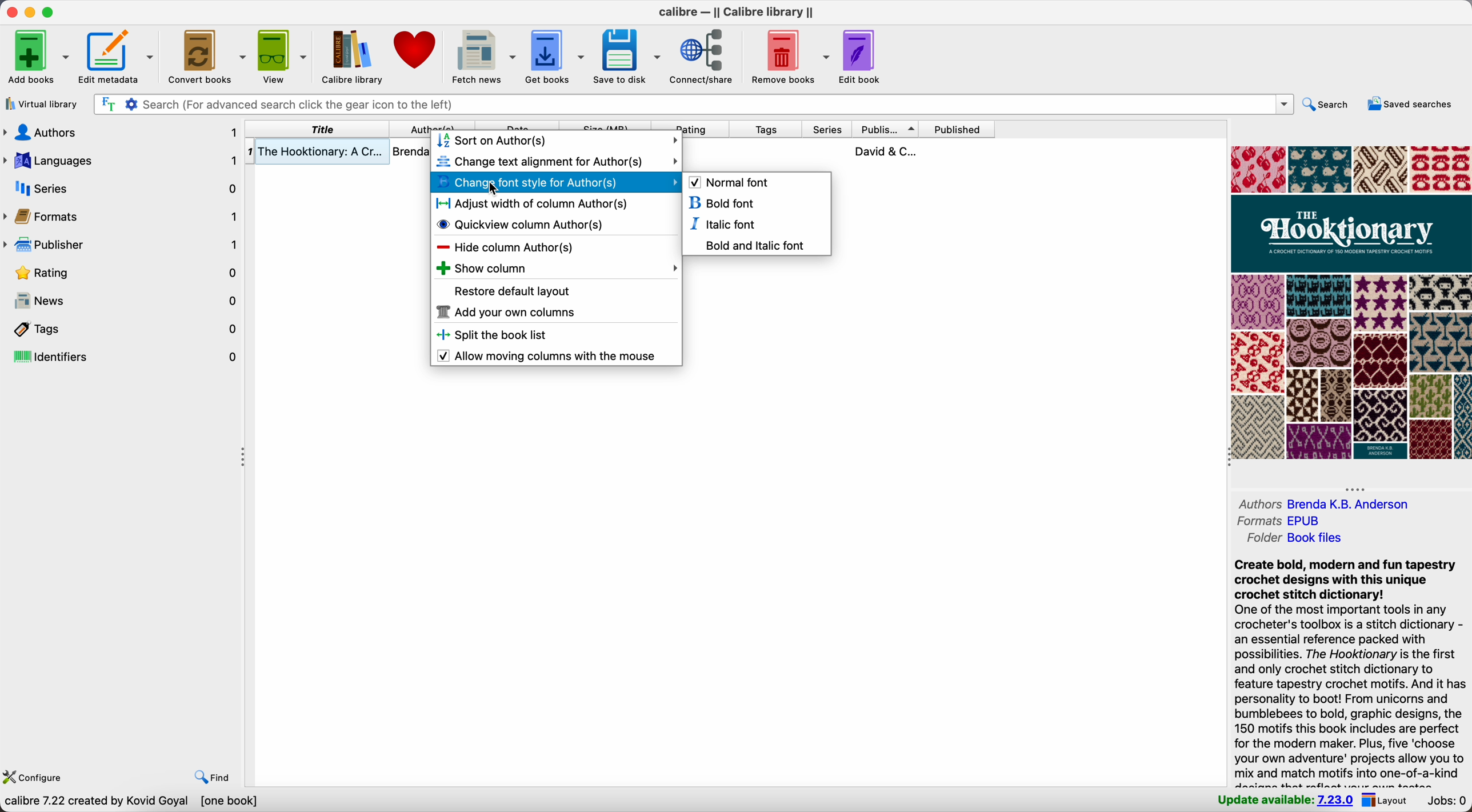  I want to click on book details, so click(840, 151).